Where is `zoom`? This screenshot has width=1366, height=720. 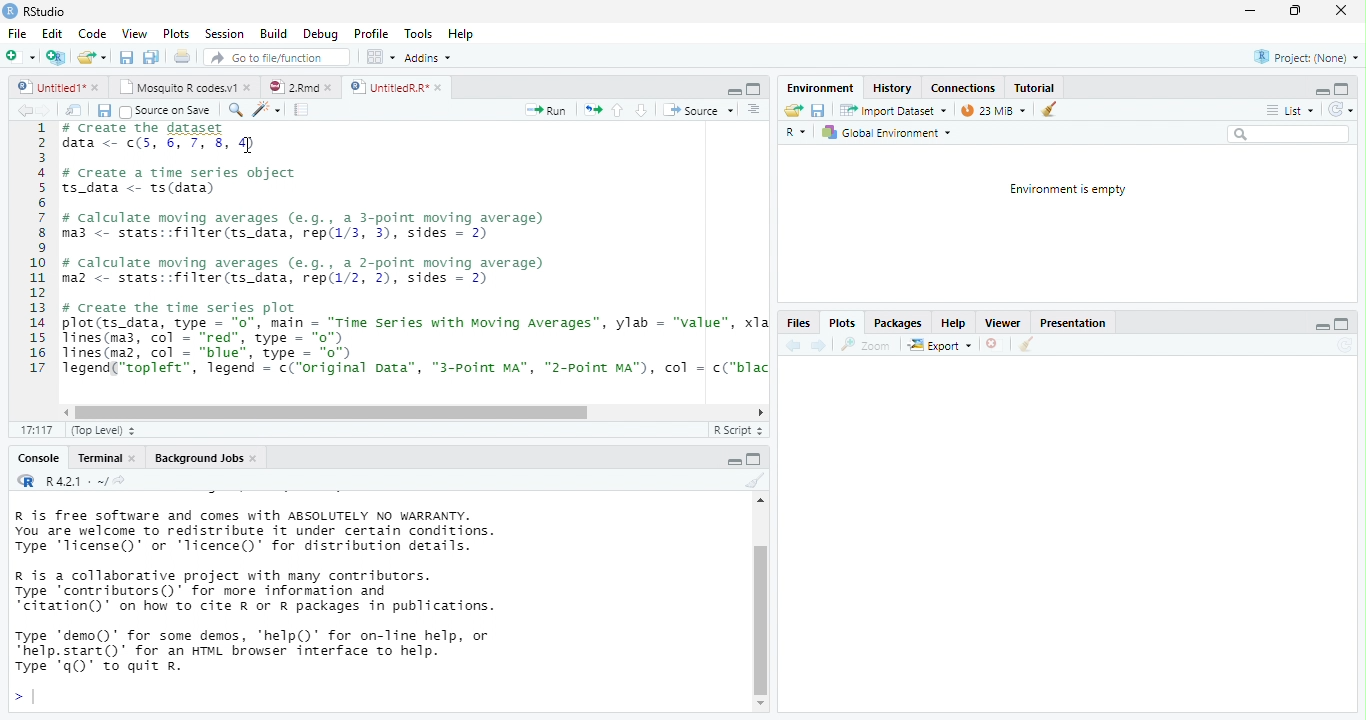 zoom is located at coordinates (869, 345).